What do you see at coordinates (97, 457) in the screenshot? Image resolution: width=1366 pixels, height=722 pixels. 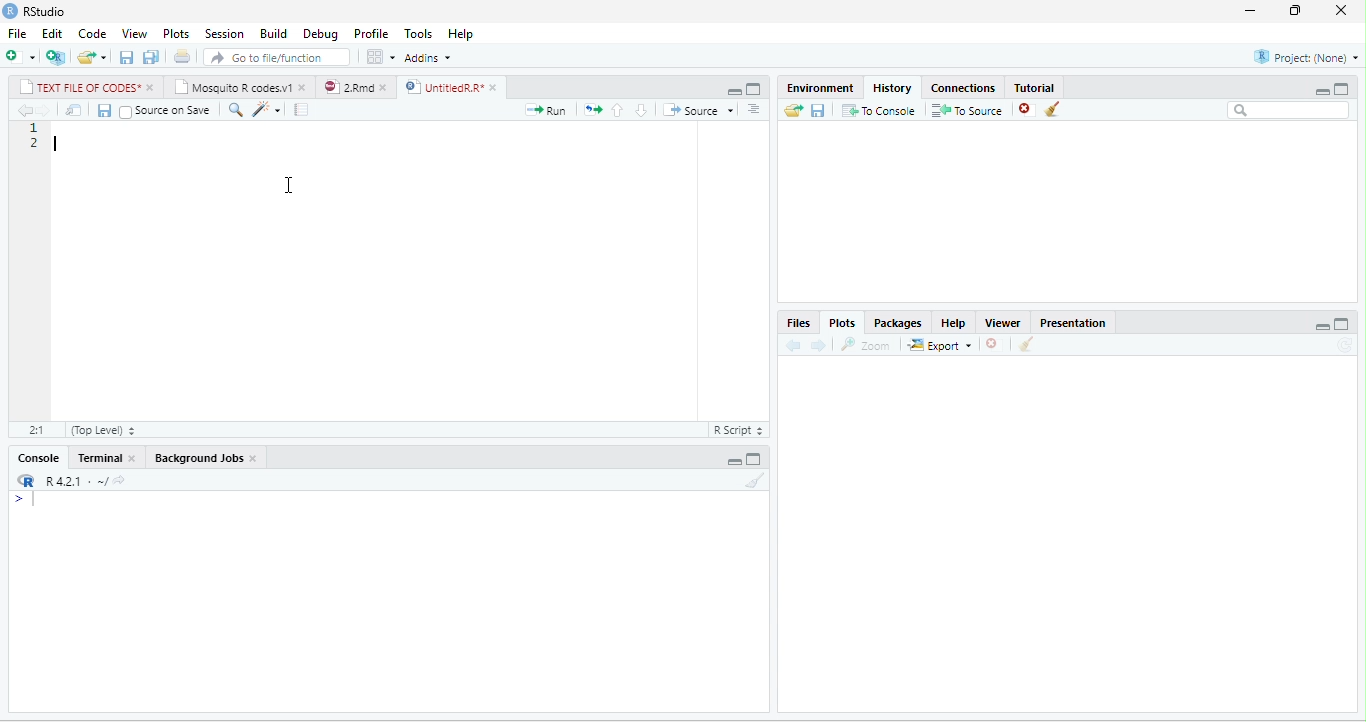 I see `Terminal` at bounding box center [97, 457].